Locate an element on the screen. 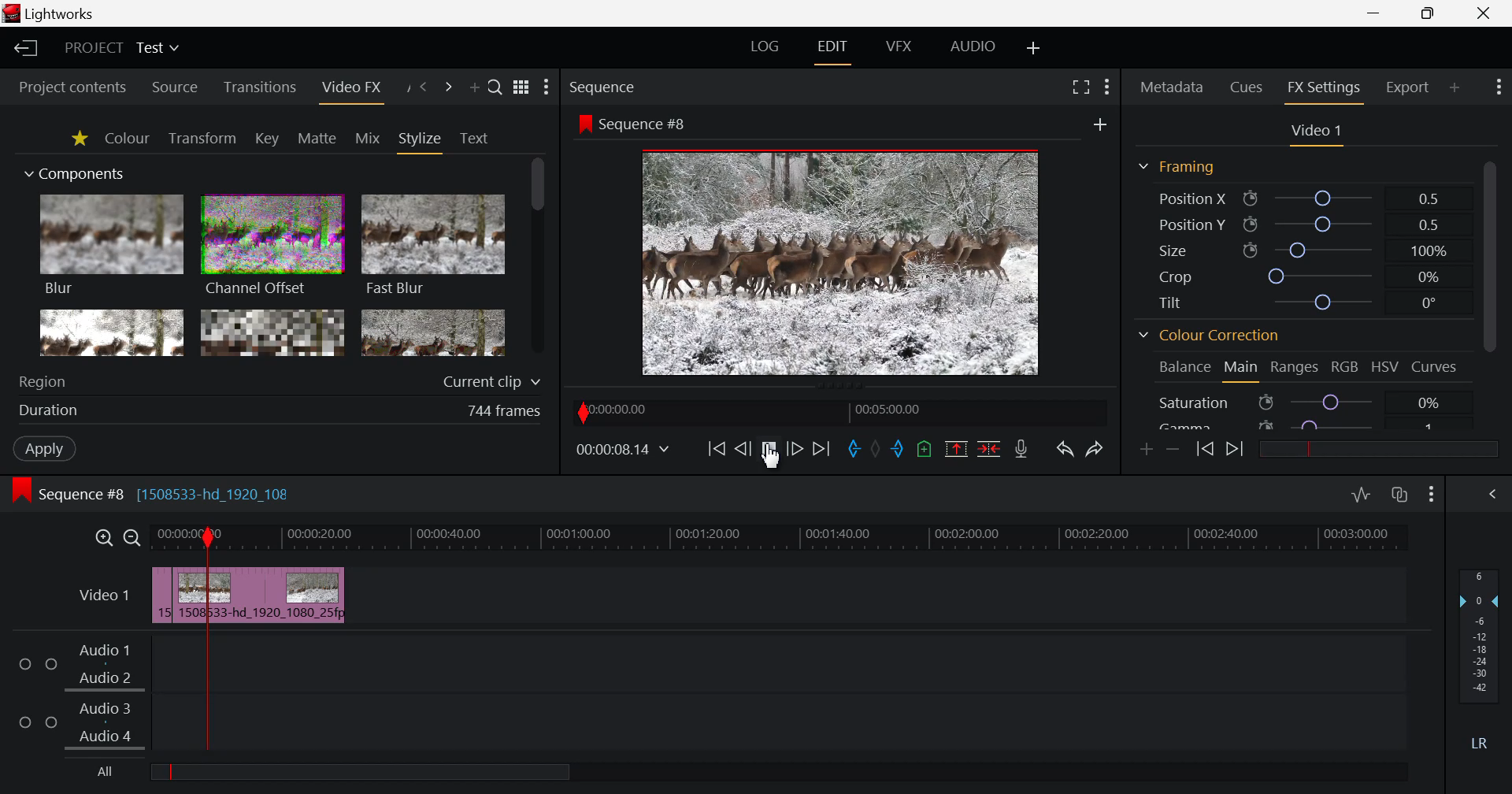 This screenshot has height=794, width=1512. Mark In is located at coordinates (855, 449).